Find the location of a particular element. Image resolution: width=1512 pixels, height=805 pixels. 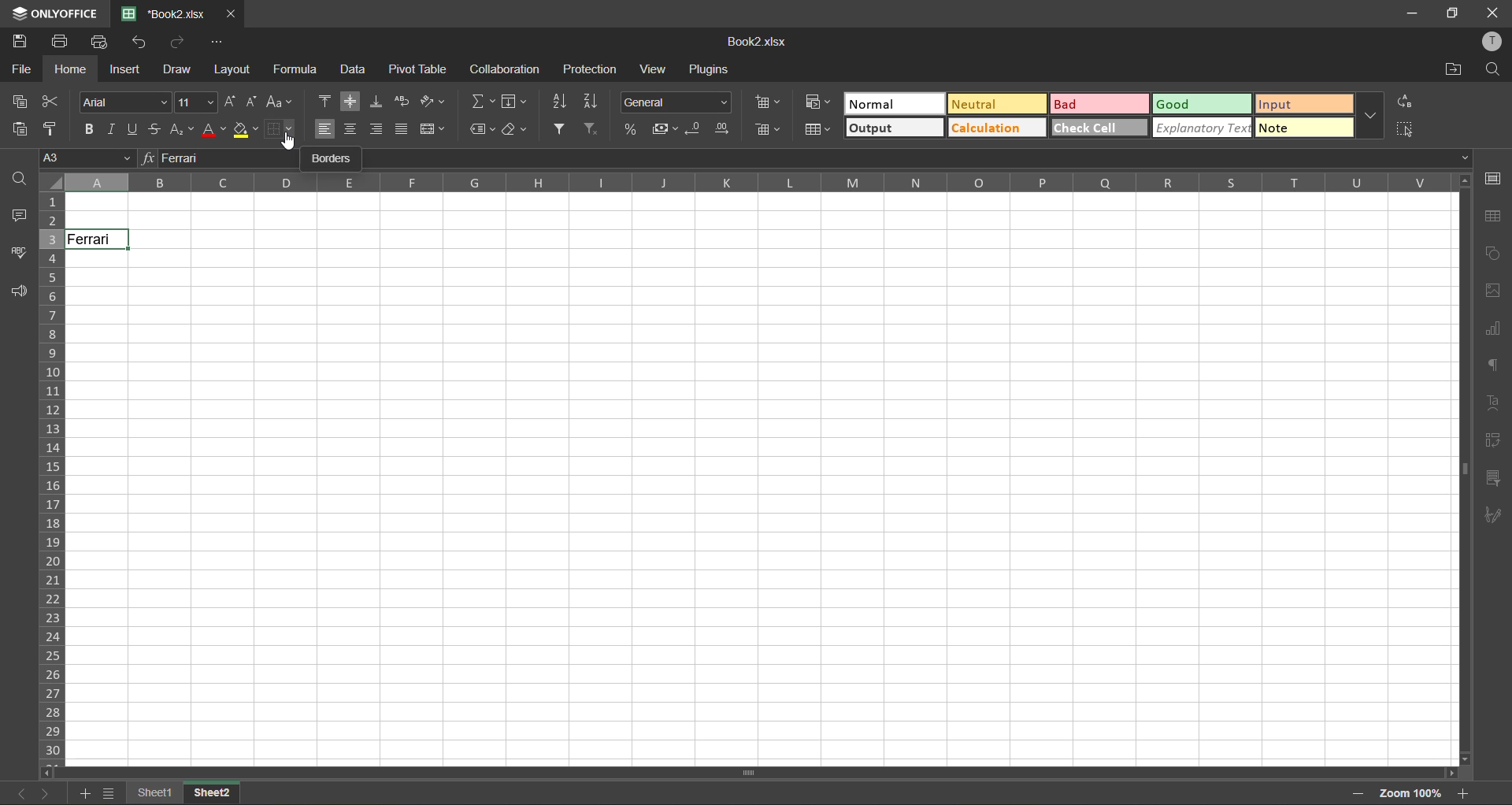

note is located at coordinates (1305, 127).